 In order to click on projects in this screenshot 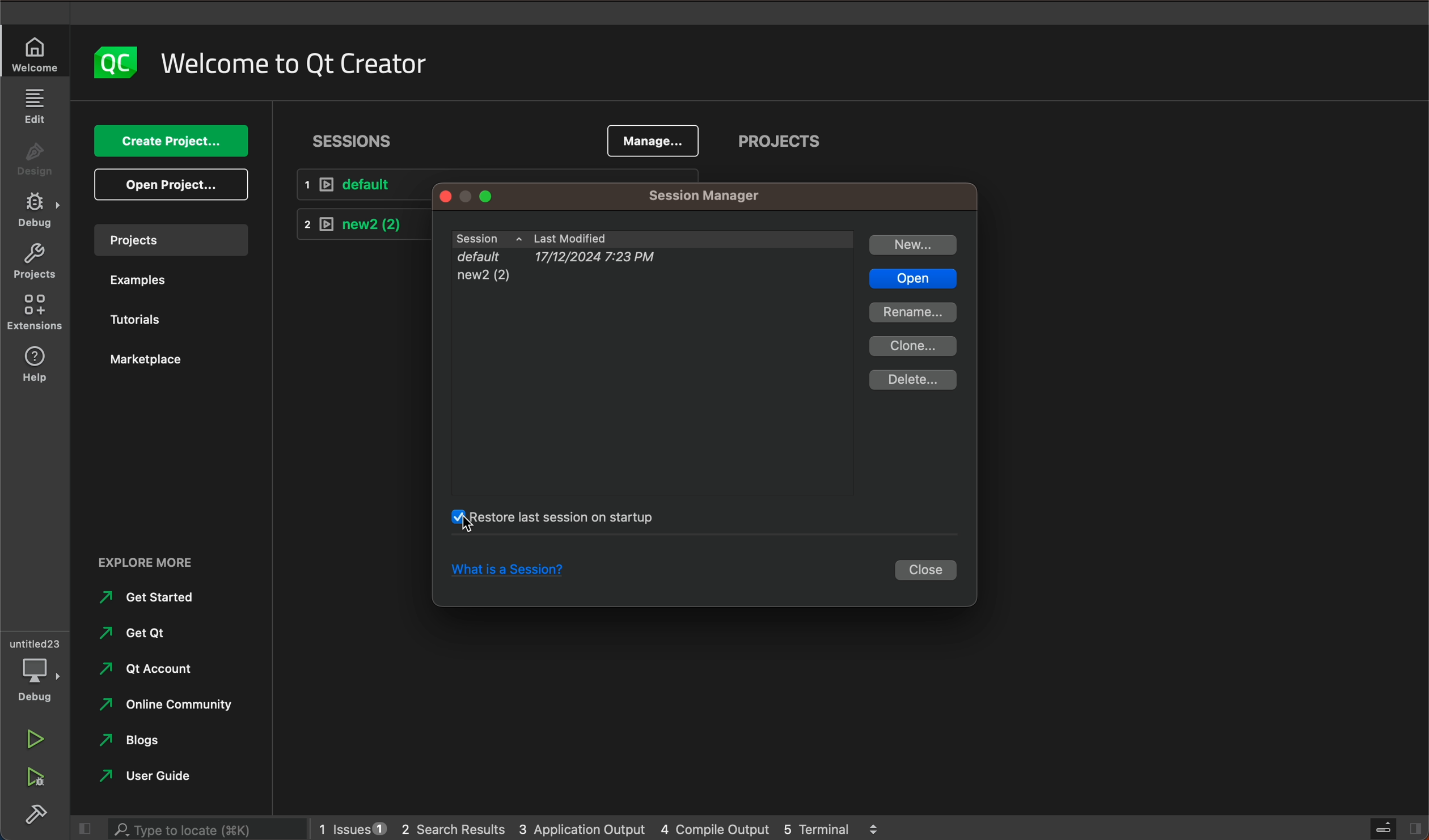, I will do `click(172, 243)`.